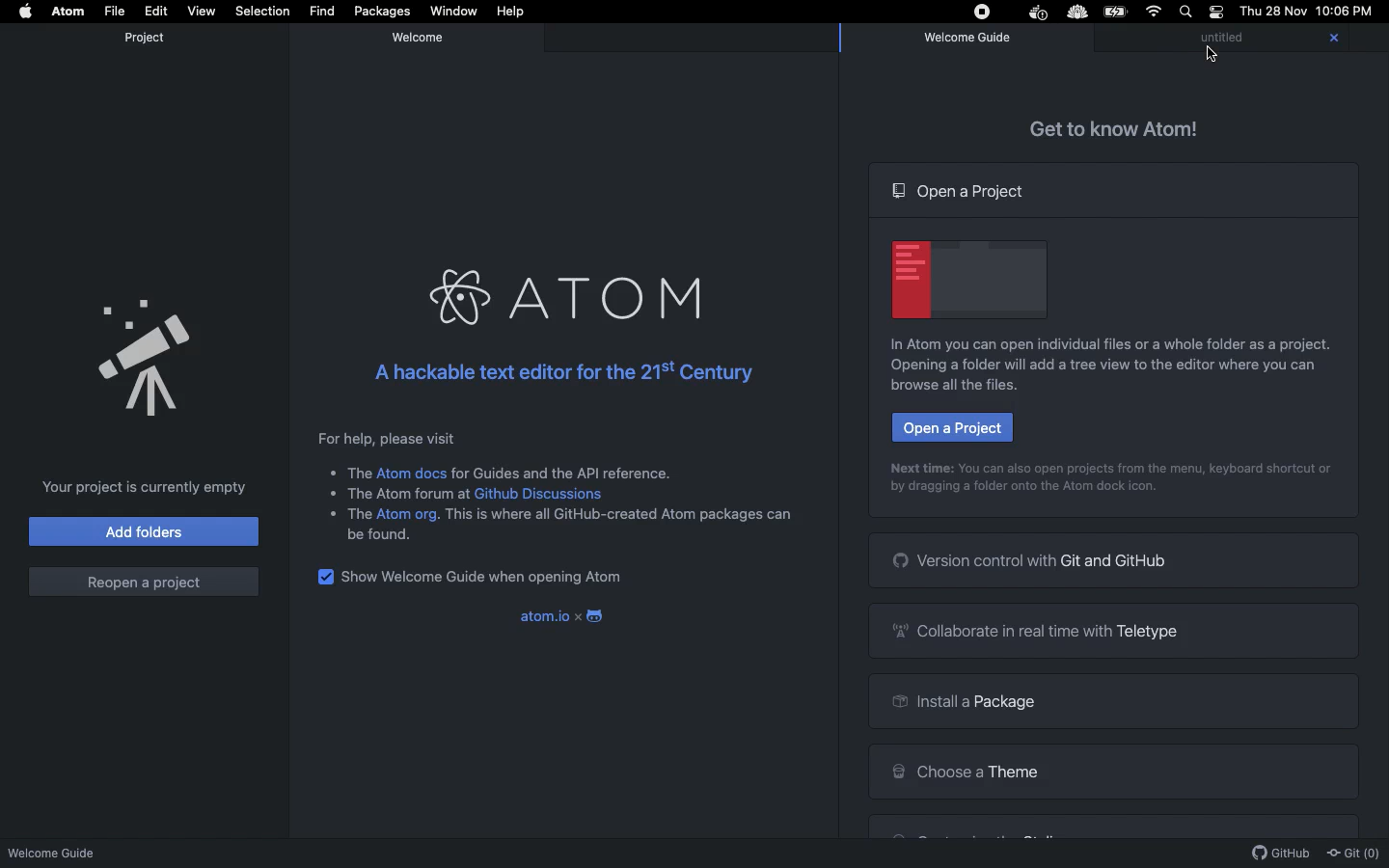 This screenshot has width=1389, height=868. What do you see at coordinates (452, 13) in the screenshot?
I see `Window` at bounding box center [452, 13].